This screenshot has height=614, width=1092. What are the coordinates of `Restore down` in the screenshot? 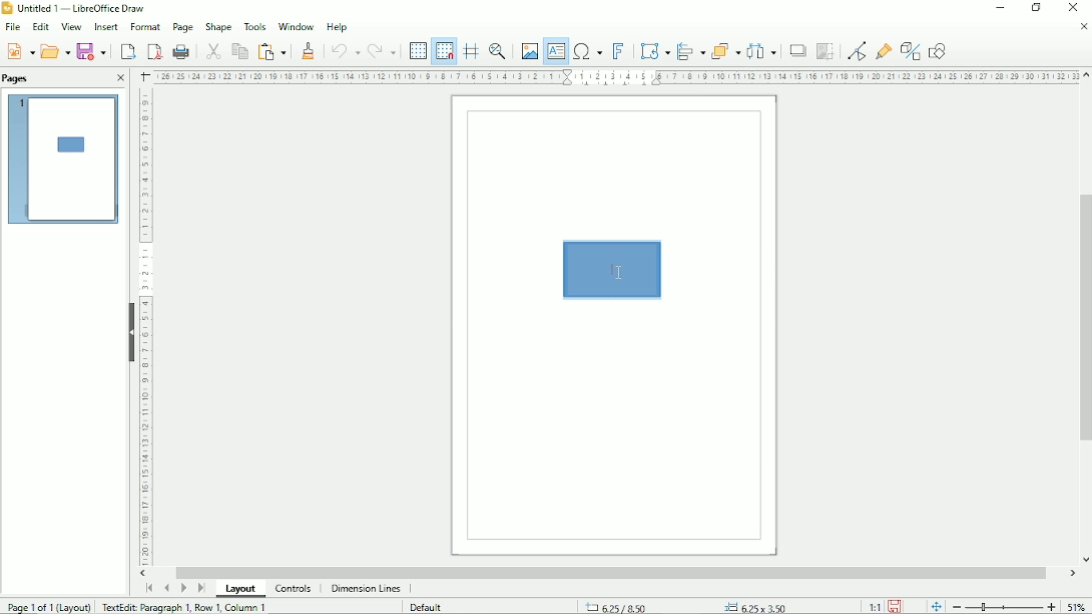 It's located at (1037, 8).